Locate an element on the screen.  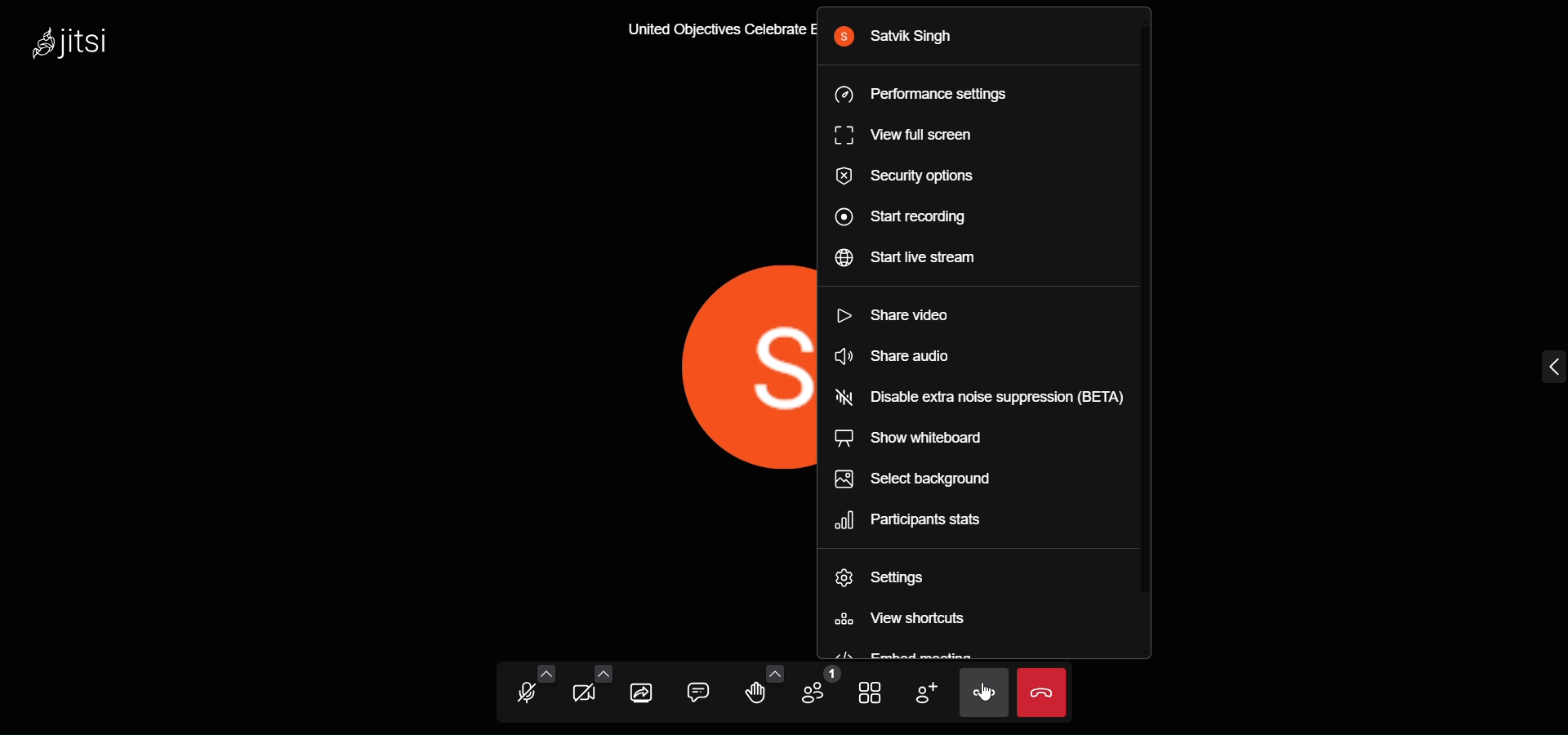
setting is located at coordinates (898, 572).